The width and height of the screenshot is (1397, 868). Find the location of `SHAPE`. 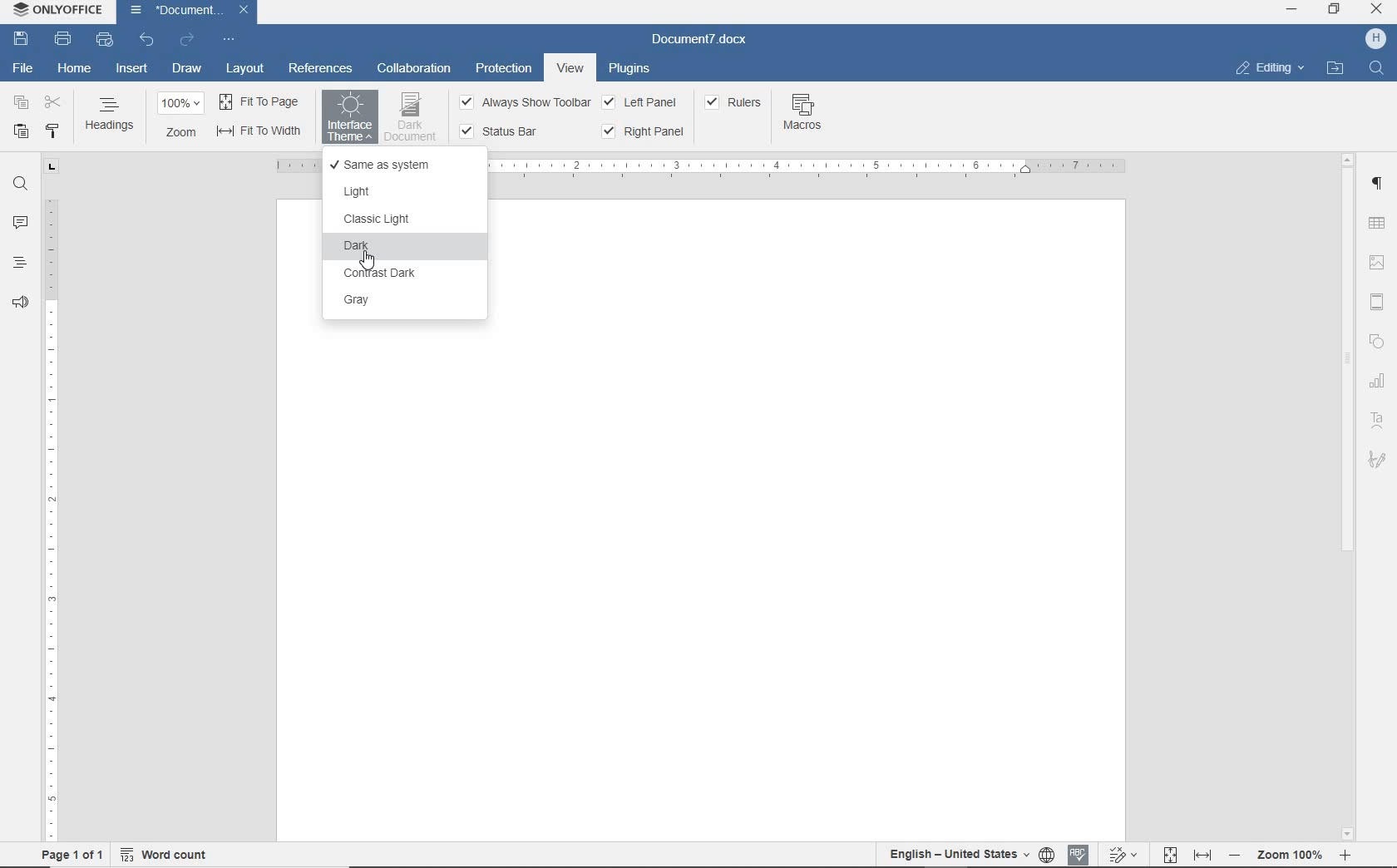

SHAPE is located at coordinates (1377, 343).